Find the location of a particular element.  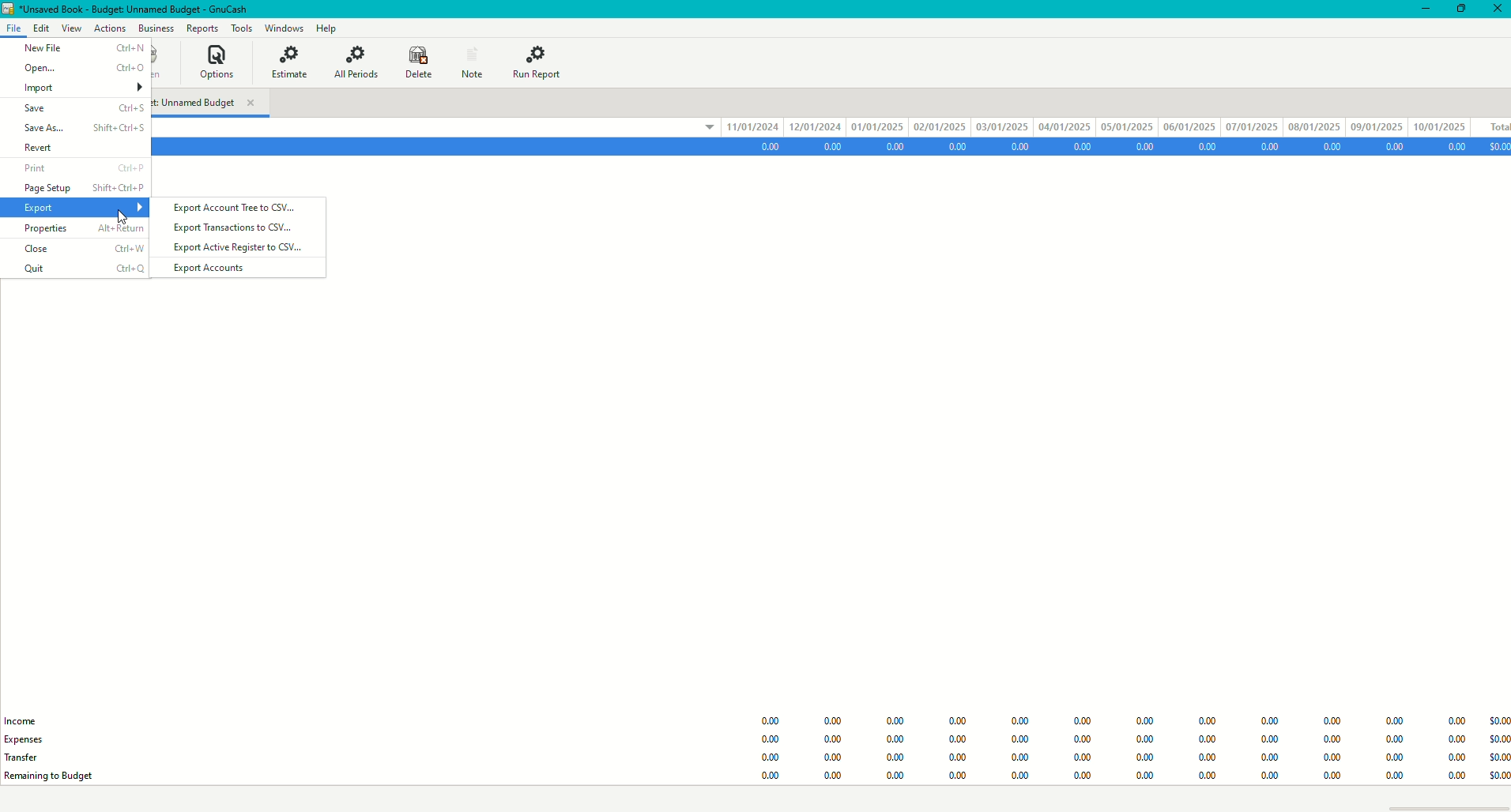

View is located at coordinates (69, 26).